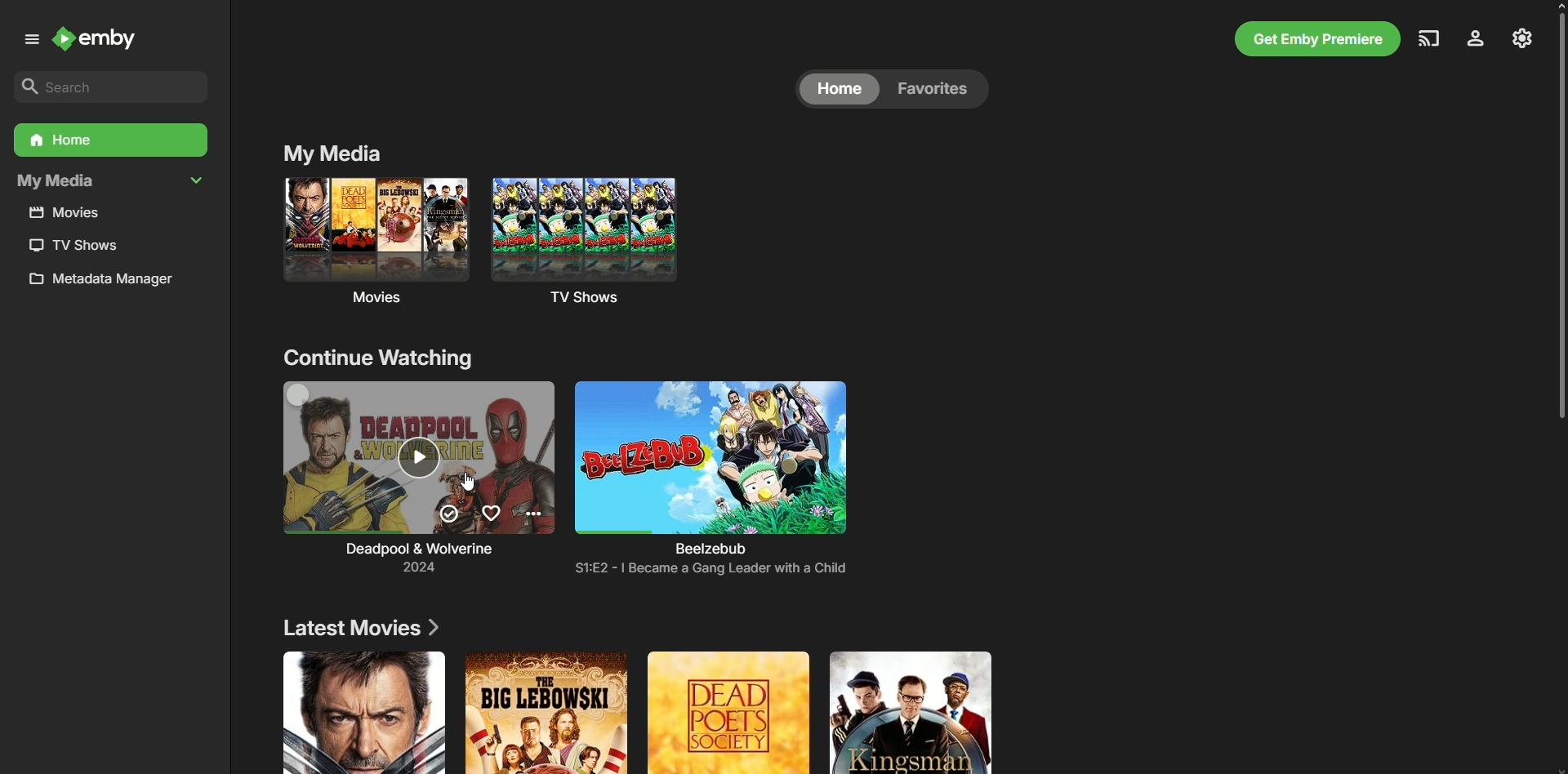 The width and height of the screenshot is (1568, 774). Describe the element at coordinates (404, 470) in the screenshot. I see `Deadpool and Wolverine` at that location.